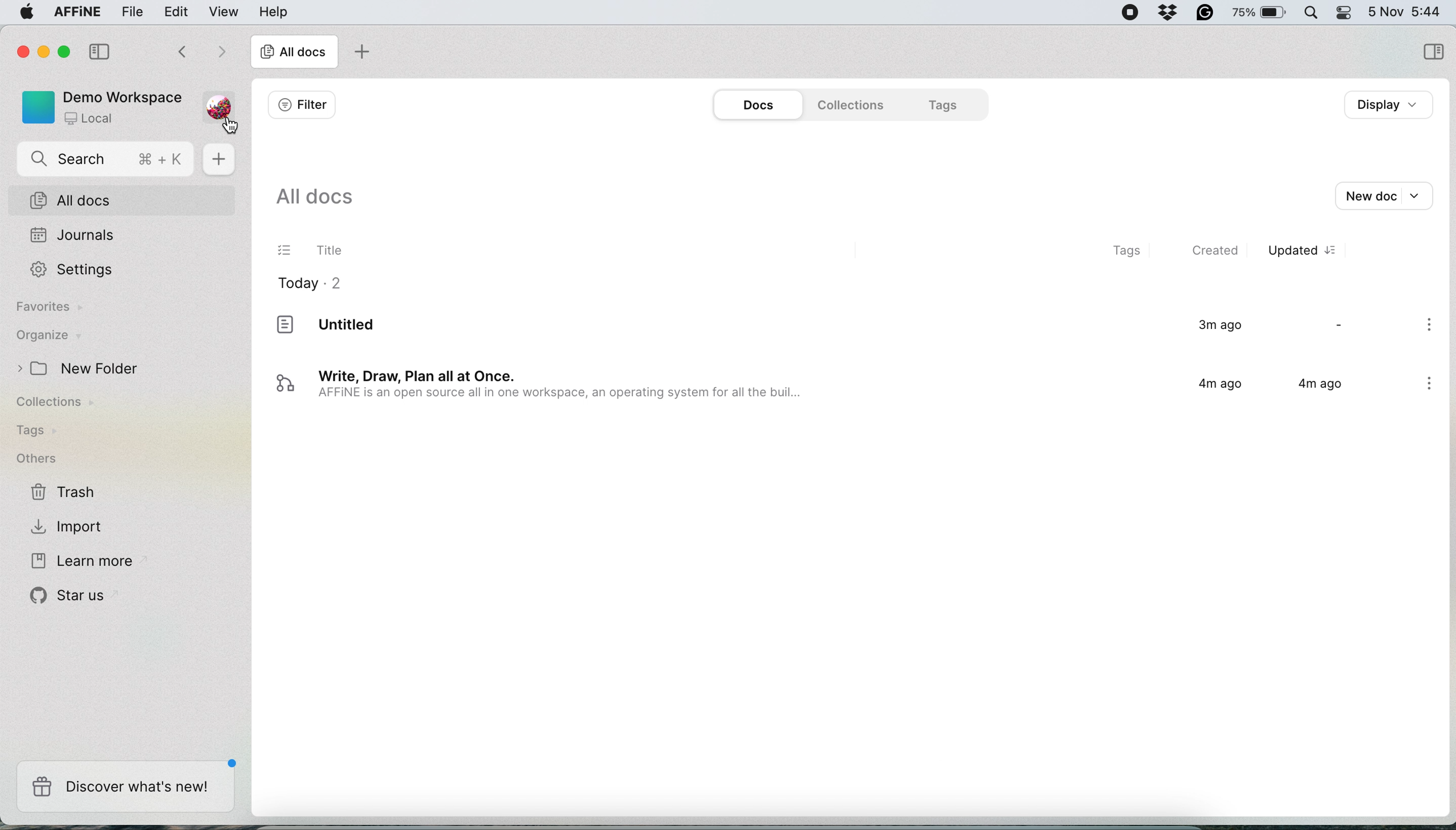 This screenshot has width=1456, height=830. I want to click on grammarly, so click(1204, 11).